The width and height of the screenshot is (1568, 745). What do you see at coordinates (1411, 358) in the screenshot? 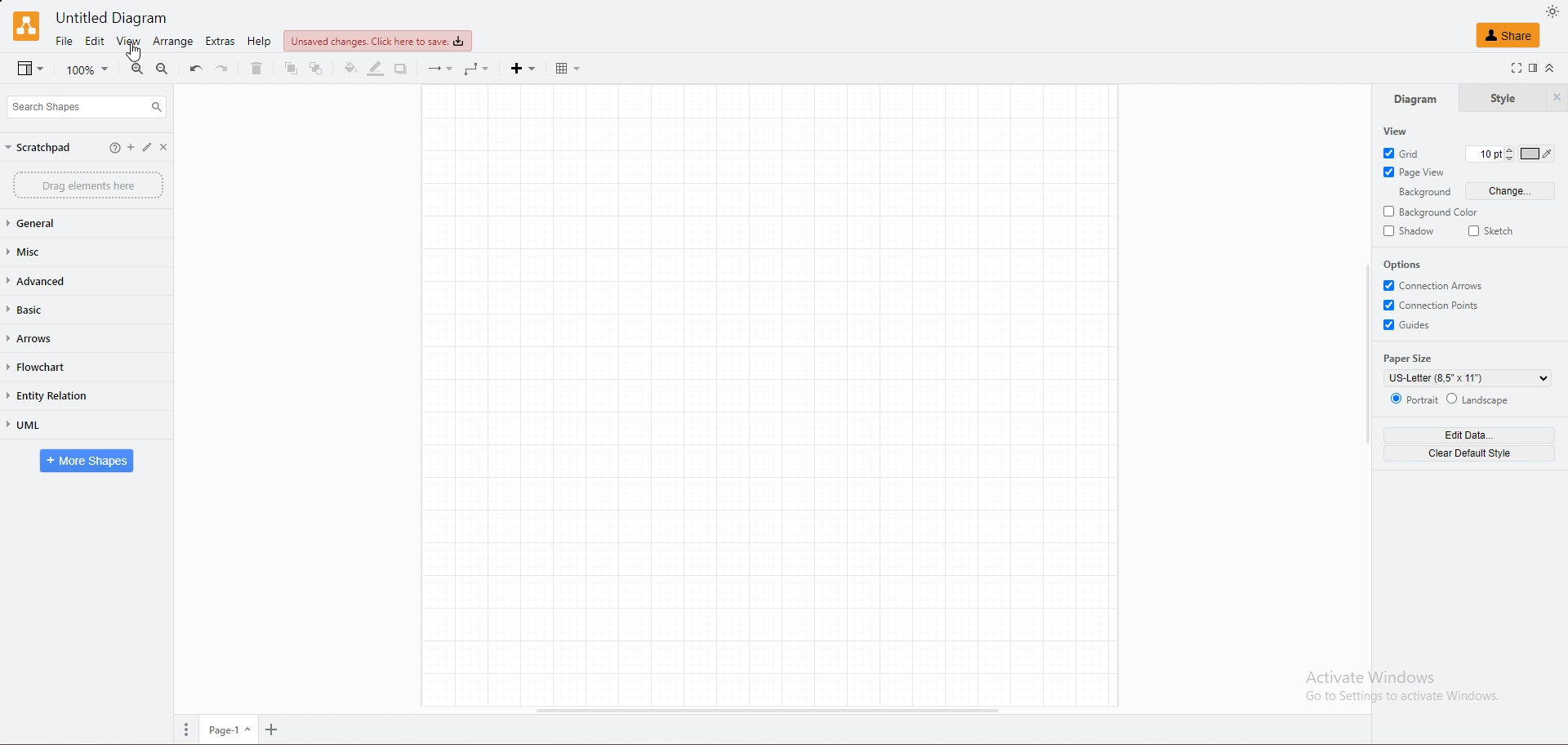
I see `paper size` at bounding box center [1411, 358].